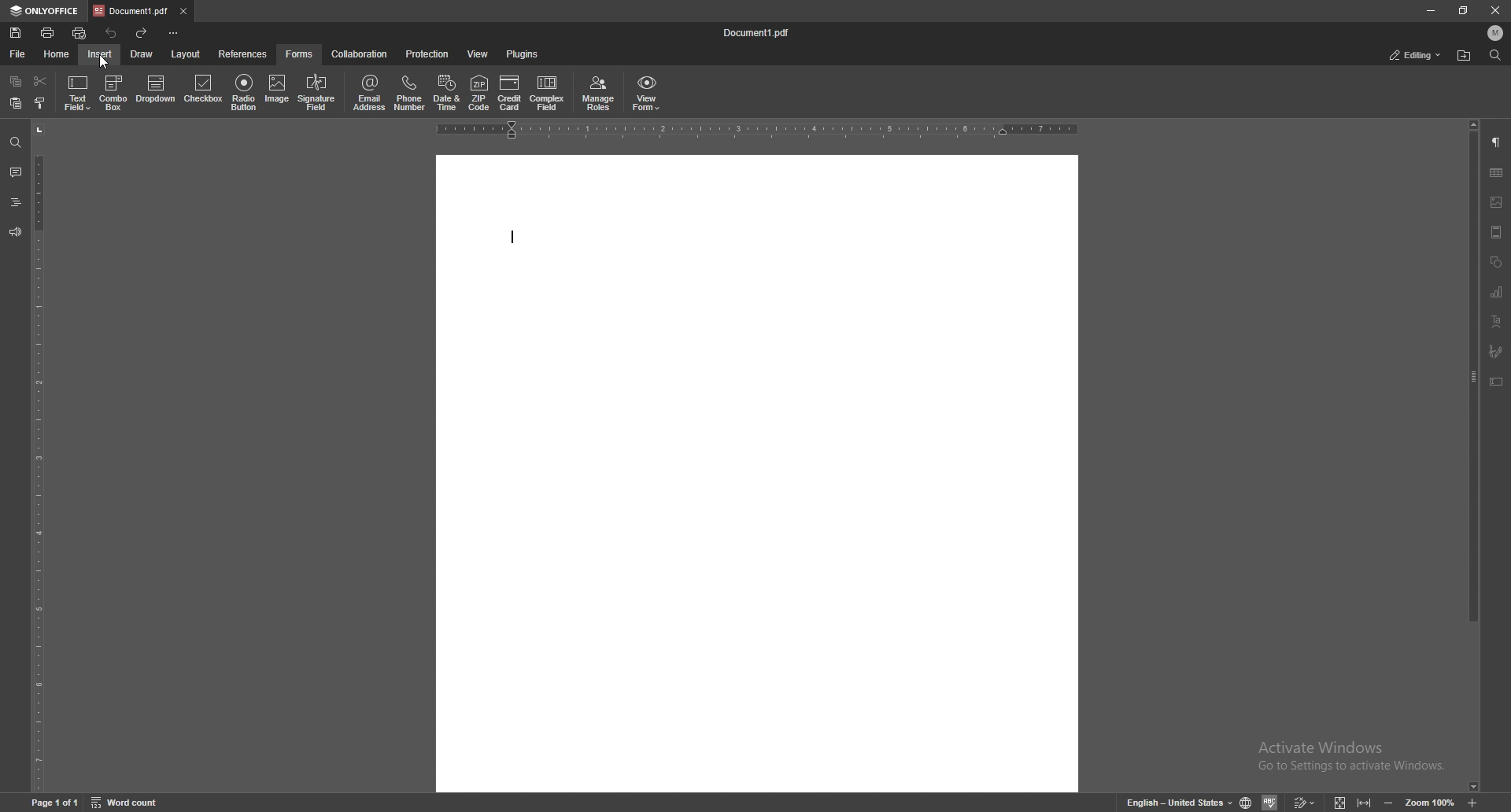 Image resolution: width=1511 pixels, height=812 pixels. What do you see at coordinates (1415, 56) in the screenshot?
I see `status` at bounding box center [1415, 56].